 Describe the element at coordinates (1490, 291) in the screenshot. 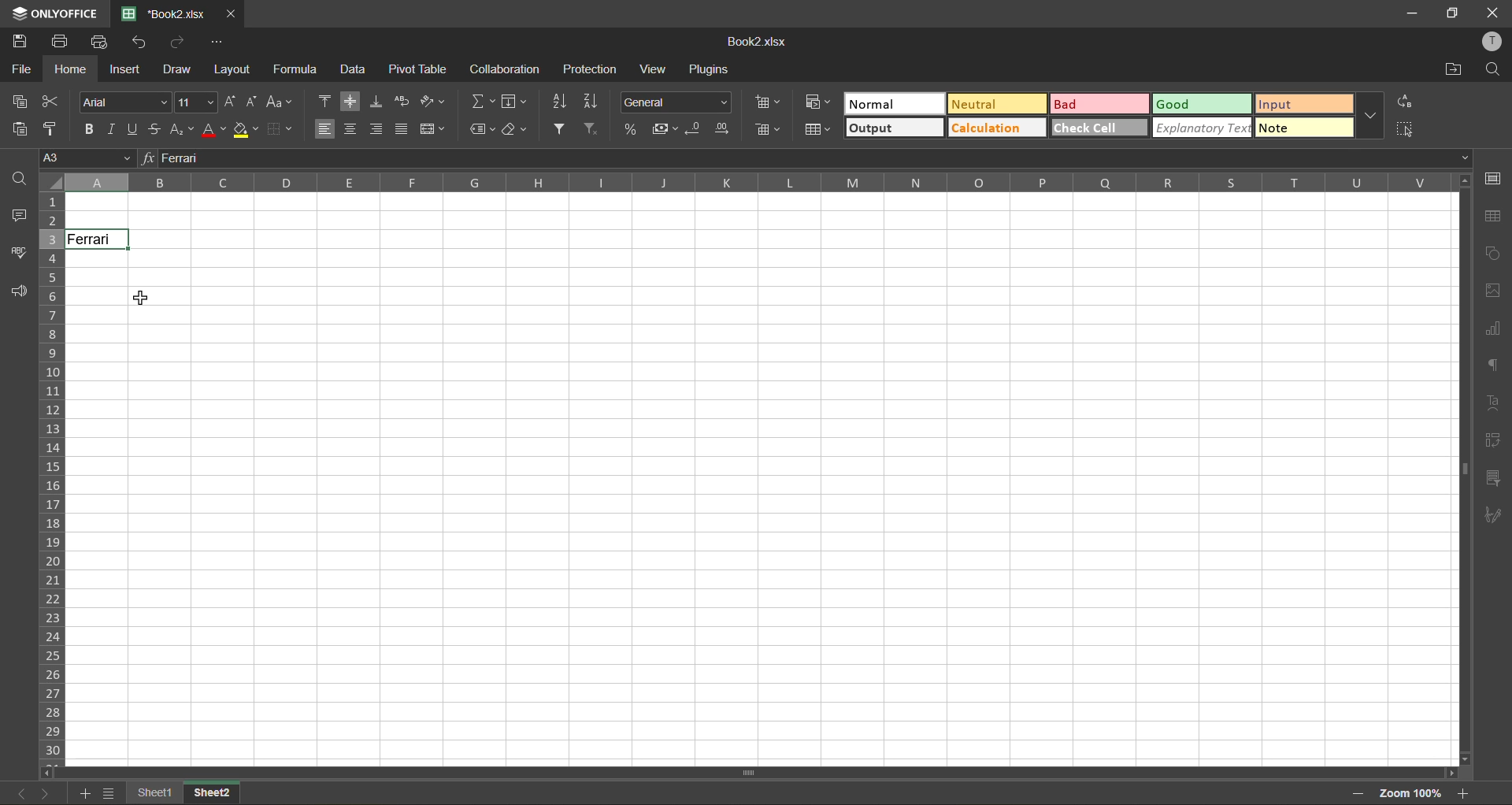

I see `images` at that location.